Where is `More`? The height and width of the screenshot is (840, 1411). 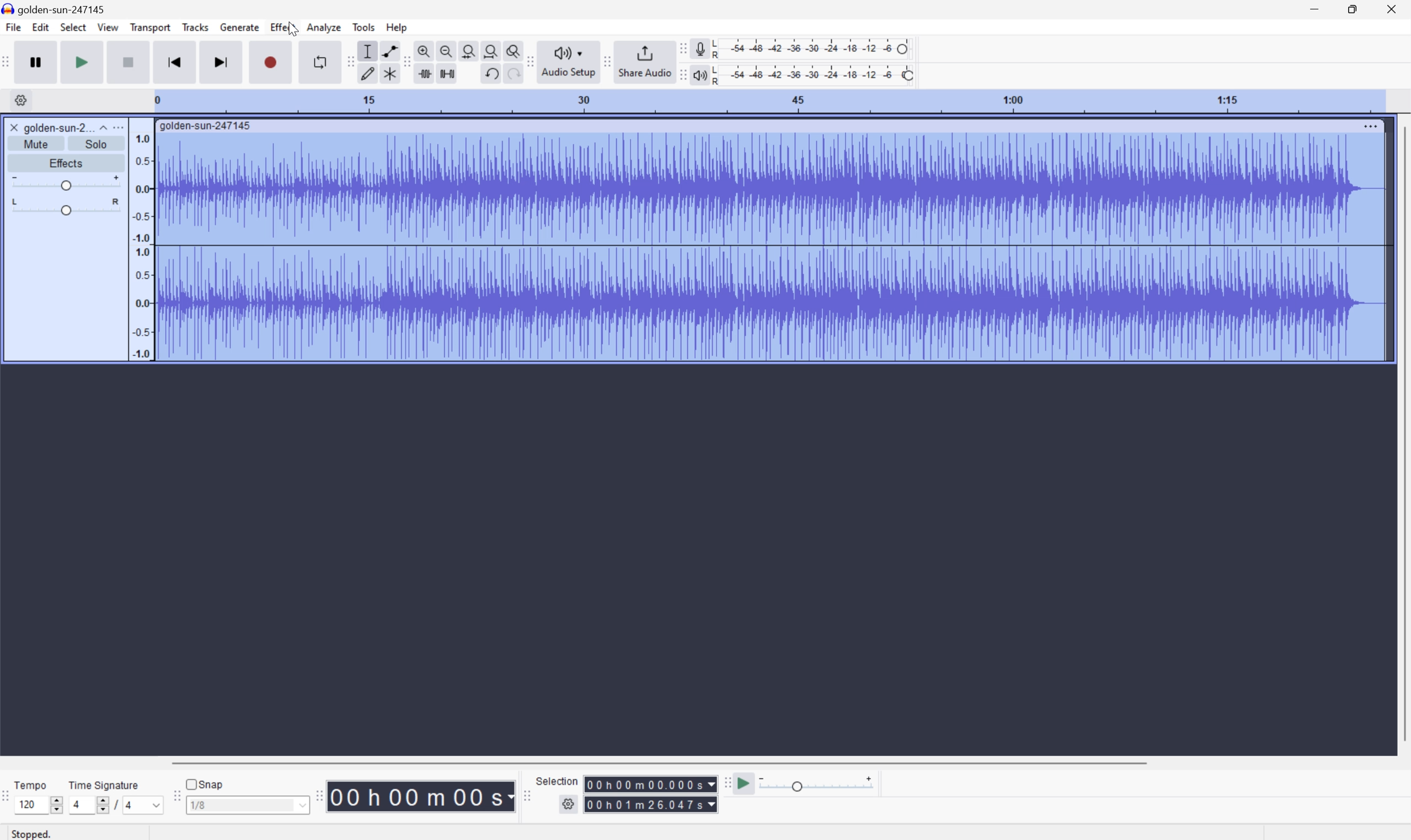
More is located at coordinates (117, 127).